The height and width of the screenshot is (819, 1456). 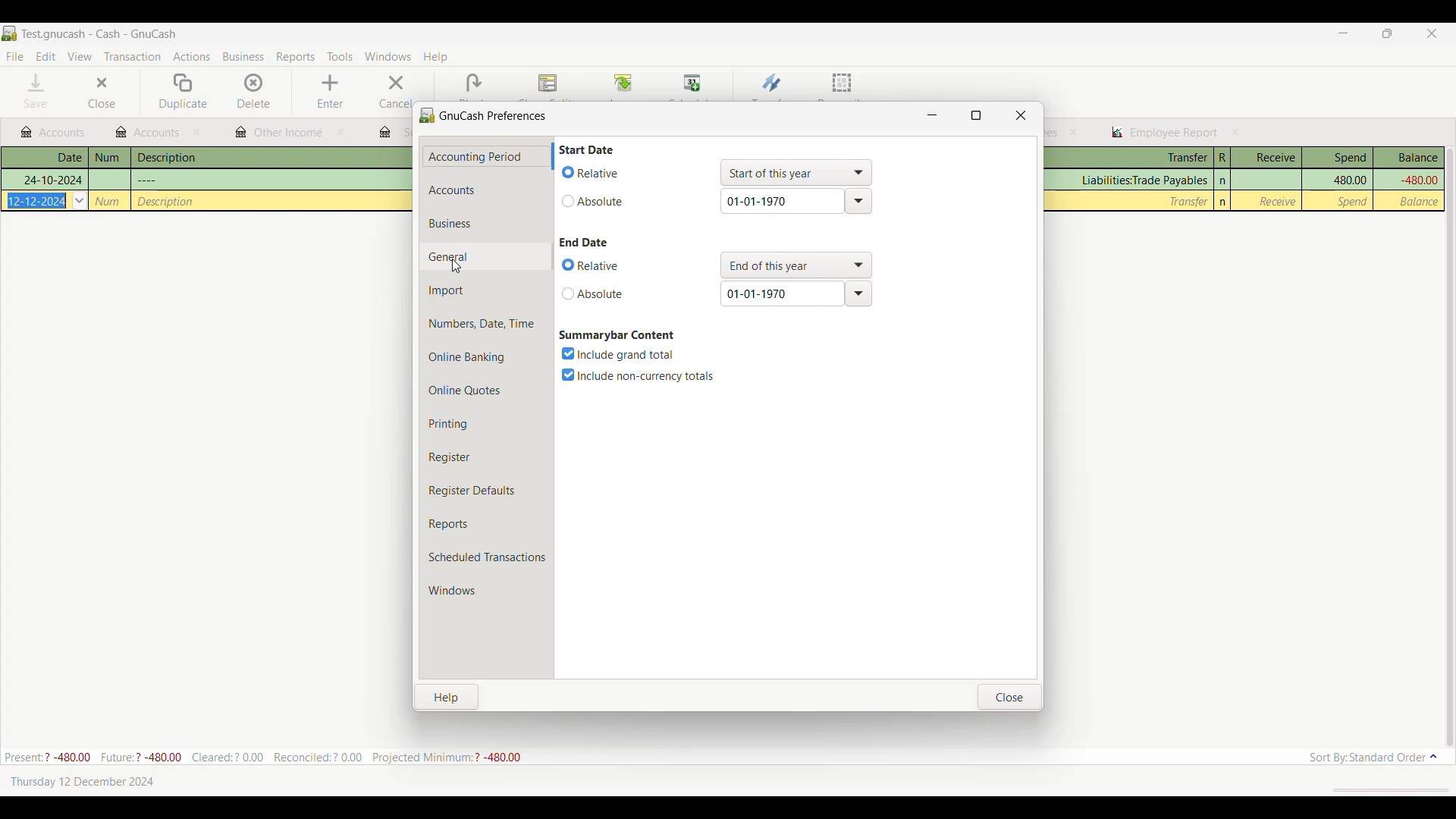 I want to click on Toggle options under current section, so click(x=640, y=375).